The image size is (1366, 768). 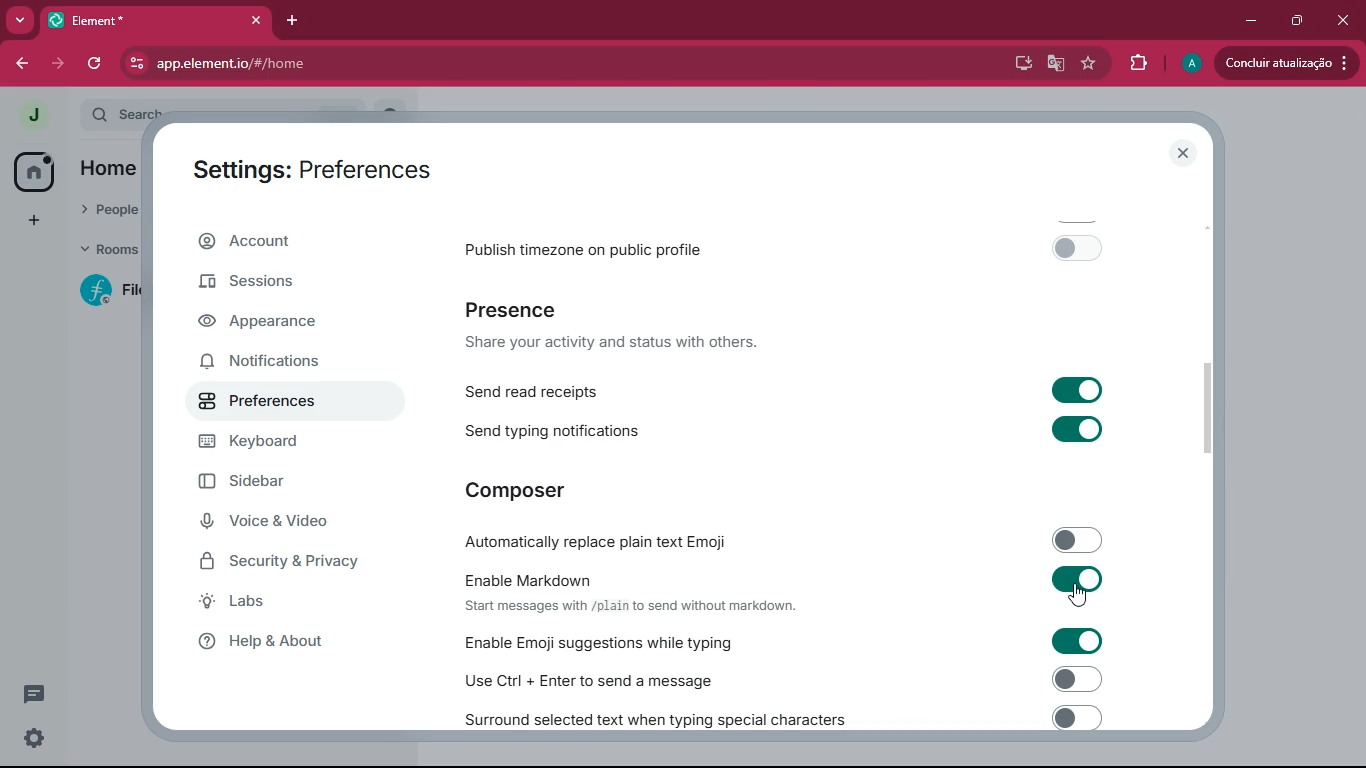 What do you see at coordinates (788, 389) in the screenshot?
I see `send receipts` at bounding box center [788, 389].